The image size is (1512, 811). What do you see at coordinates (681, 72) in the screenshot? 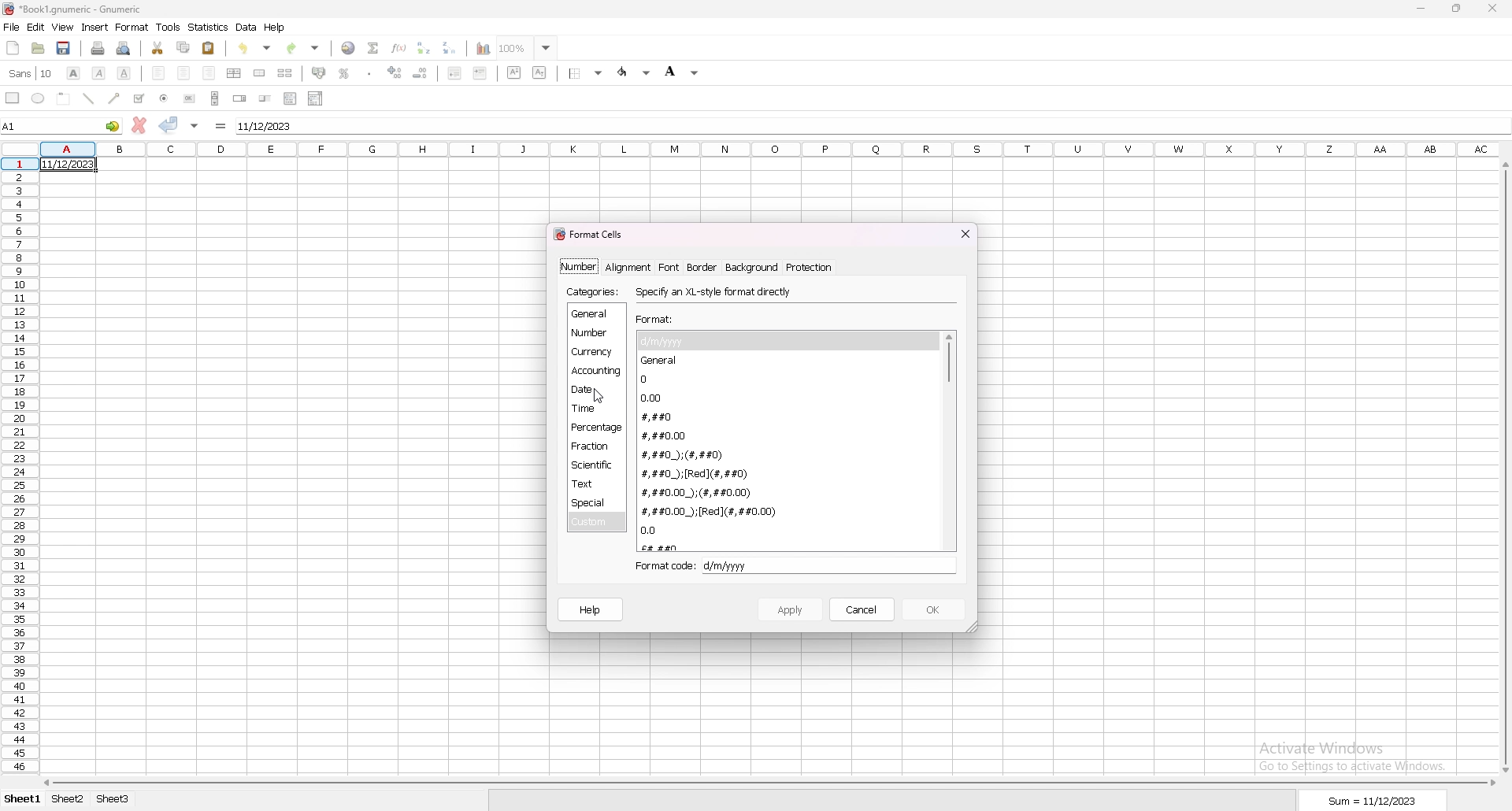
I see `background` at bounding box center [681, 72].